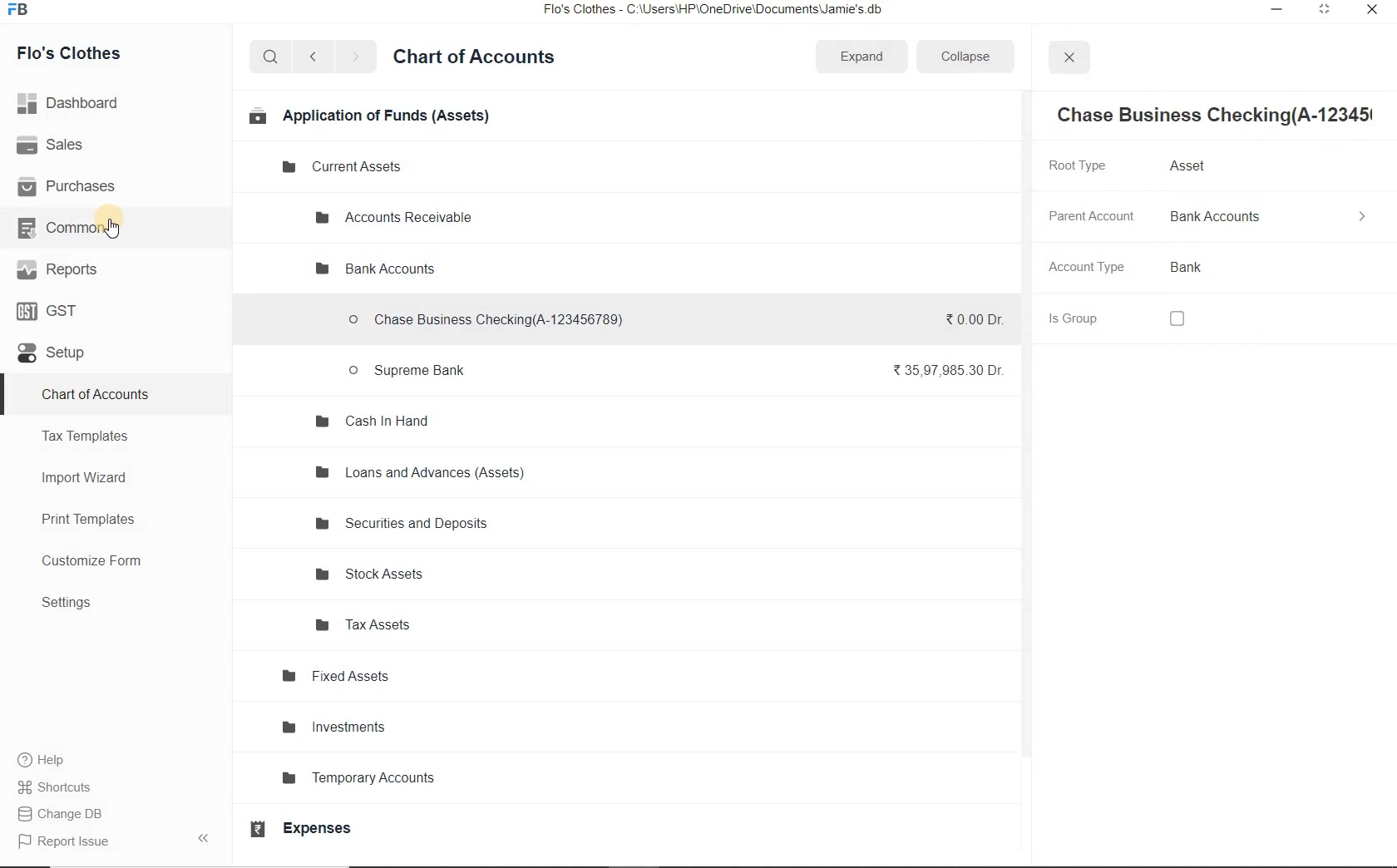 The height and width of the screenshot is (868, 1397). Describe the element at coordinates (1093, 216) in the screenshot. I see `Parent Account` at that location.